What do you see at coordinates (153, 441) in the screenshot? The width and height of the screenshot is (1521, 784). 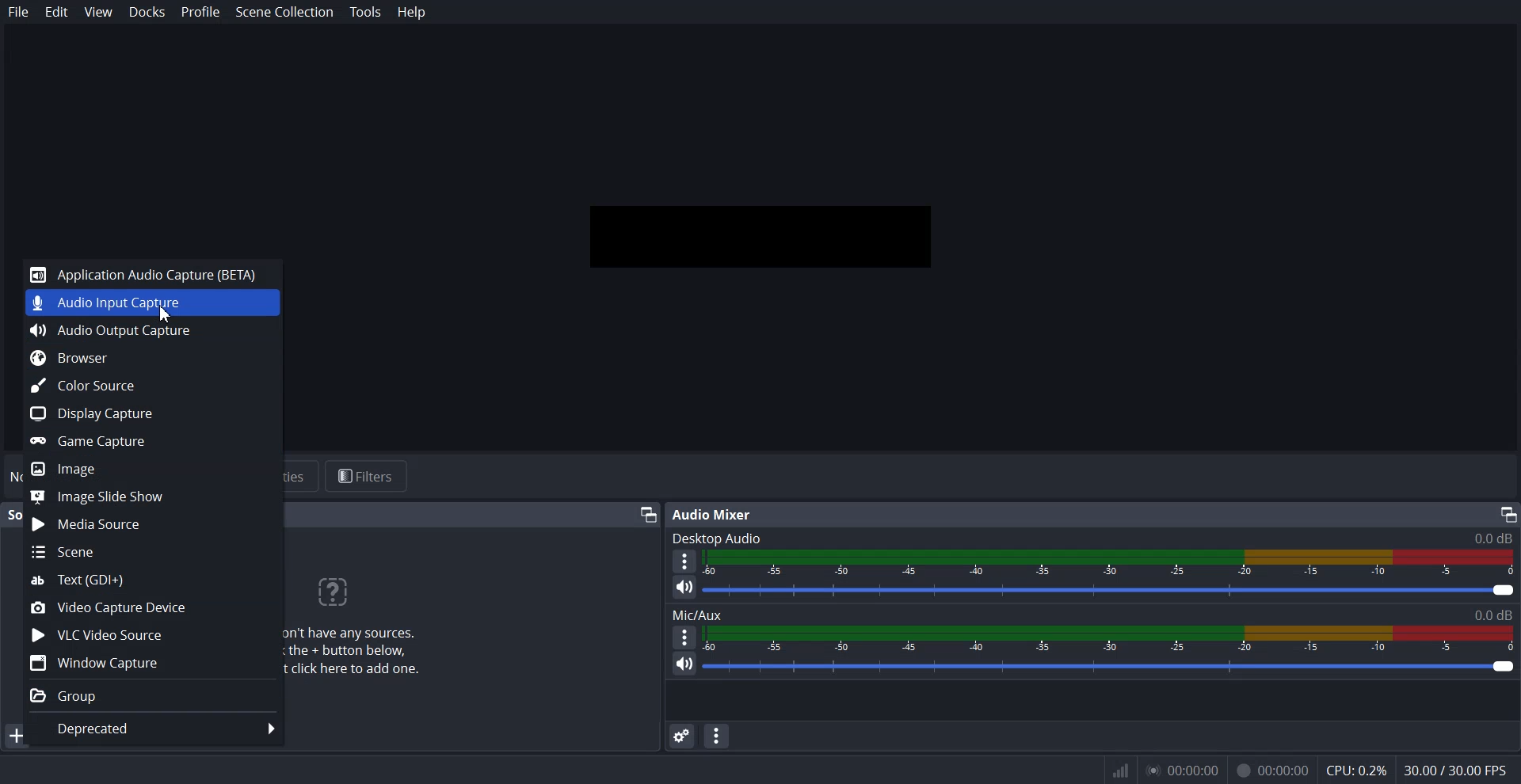 I see `Game Capture` at bounding box center [153, 441].